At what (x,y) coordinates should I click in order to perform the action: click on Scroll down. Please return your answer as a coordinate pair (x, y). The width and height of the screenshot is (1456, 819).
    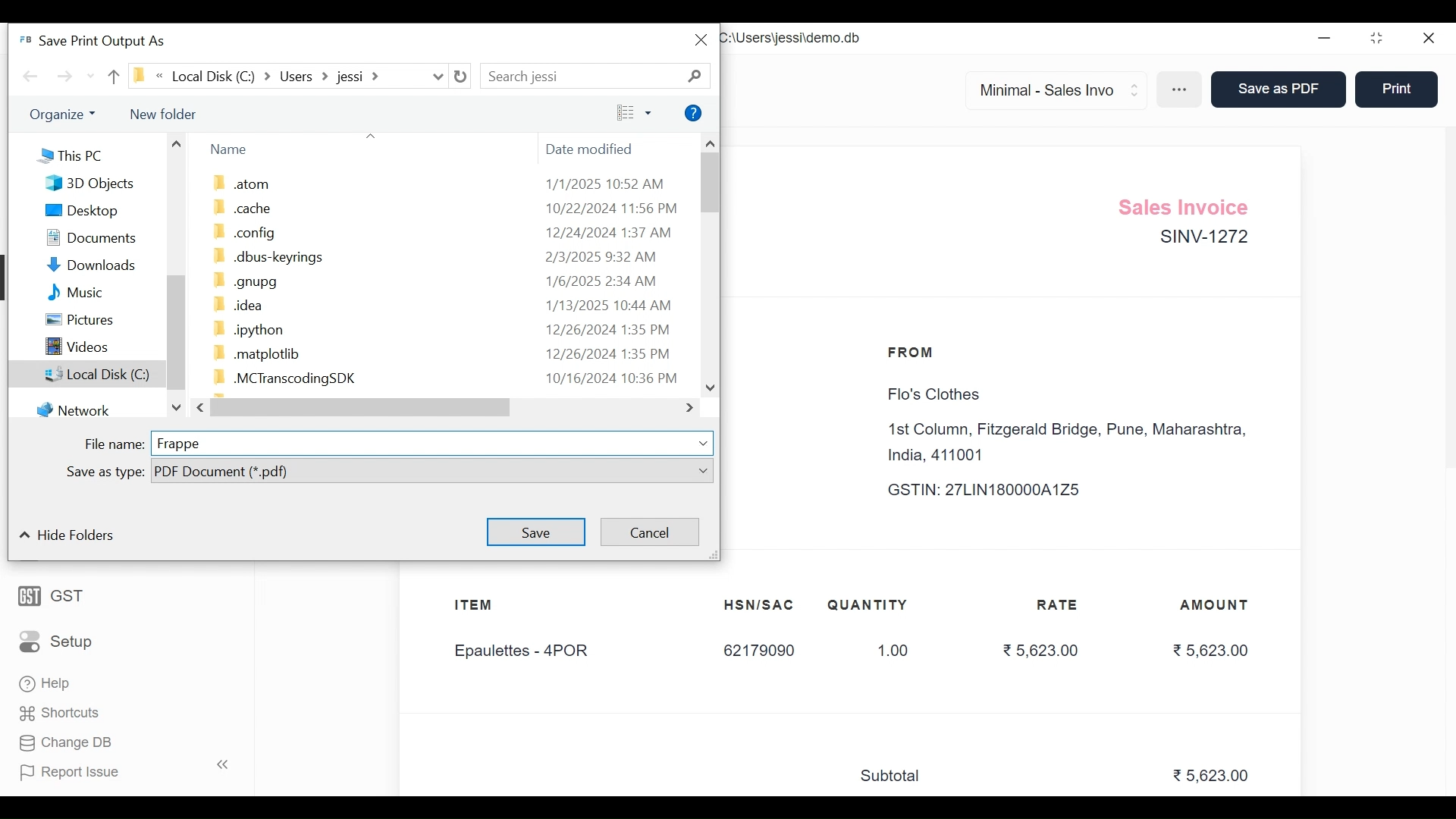
    Looking at the image, I should click on (177, 409).